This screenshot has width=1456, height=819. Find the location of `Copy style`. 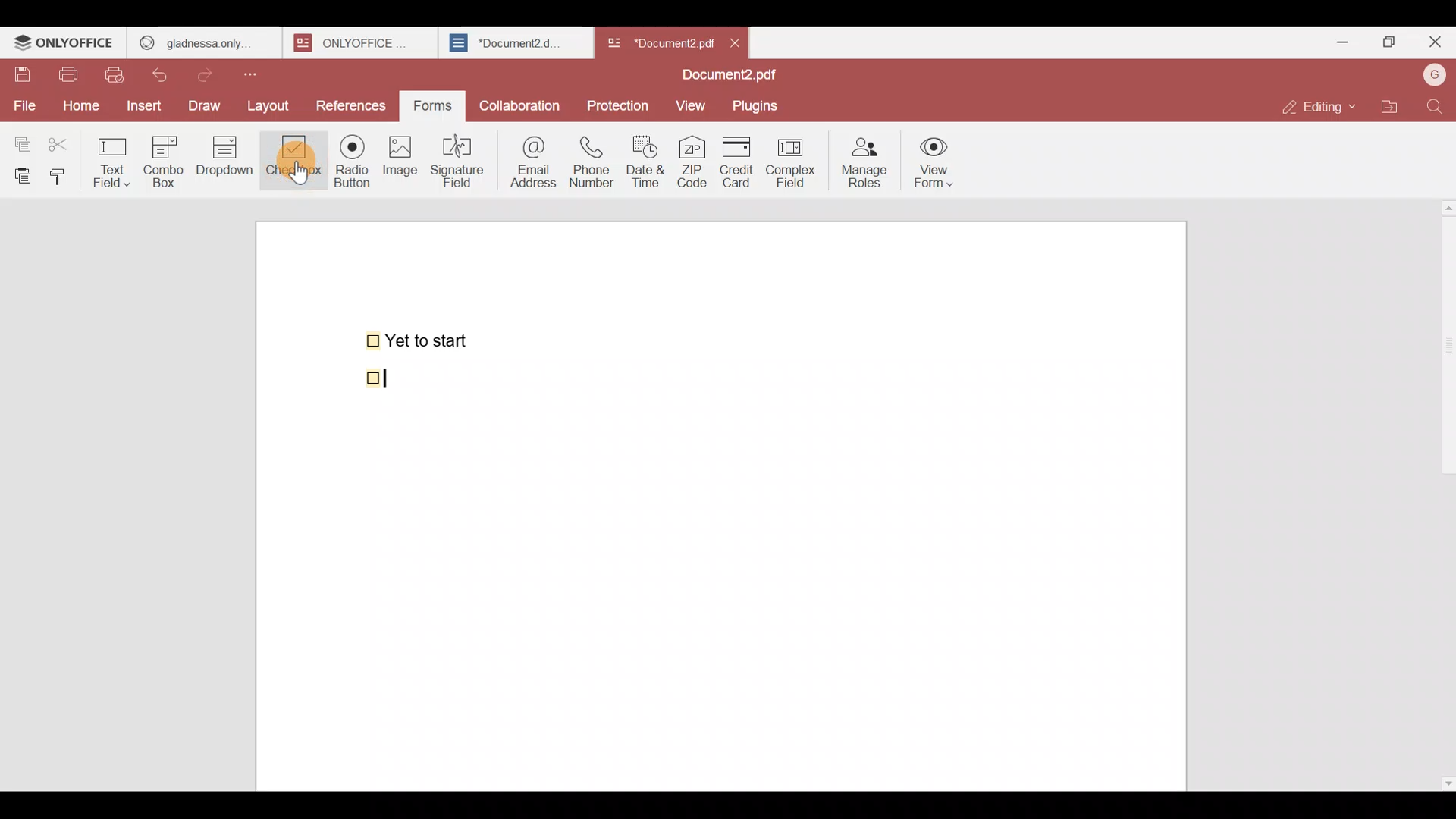

Copy style is located at coordinates (64, 173).